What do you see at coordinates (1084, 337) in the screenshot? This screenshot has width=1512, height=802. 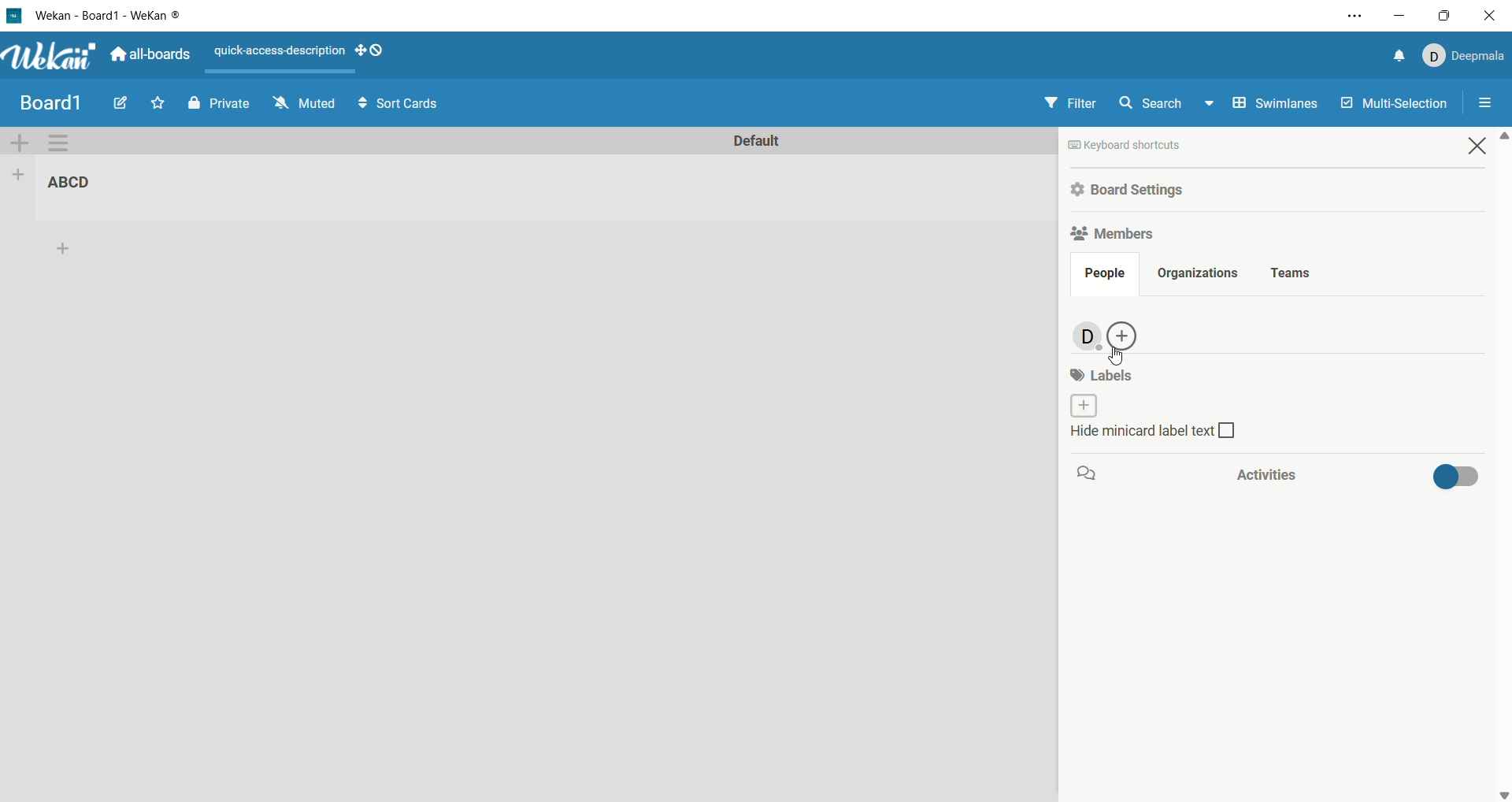 I see `admin` at bounding box center [1084, 337].